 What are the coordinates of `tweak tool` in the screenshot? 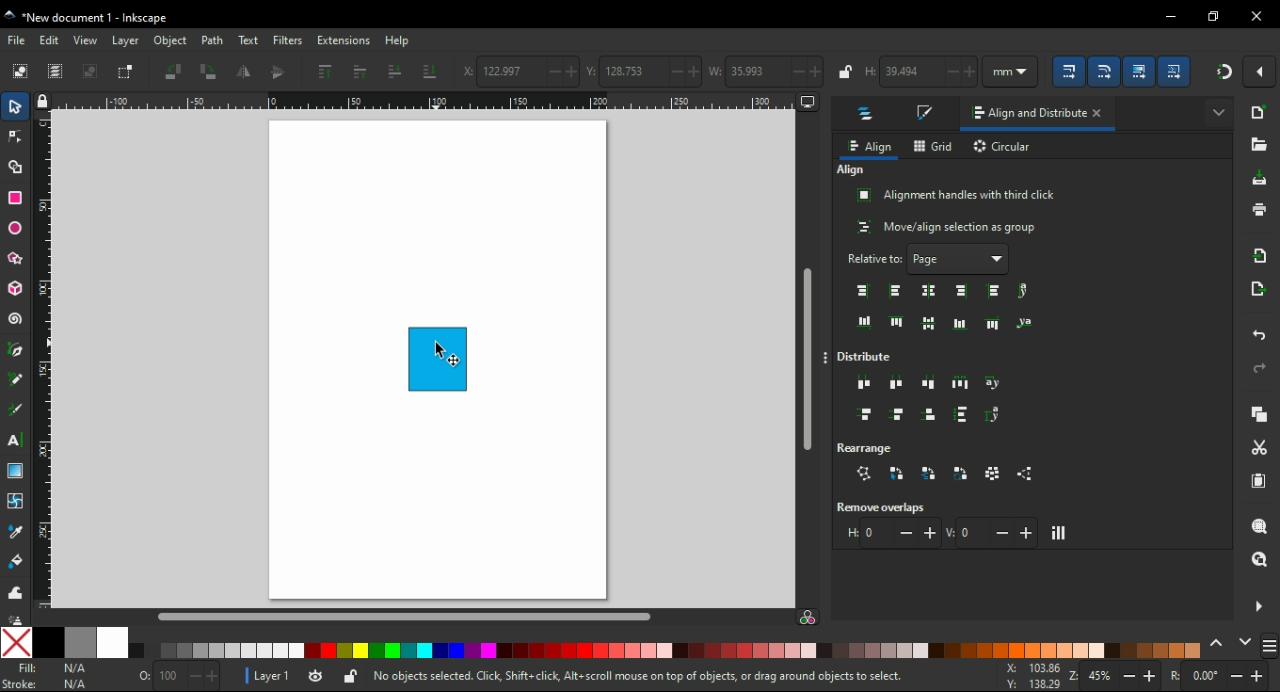 It's located at (17, 592).